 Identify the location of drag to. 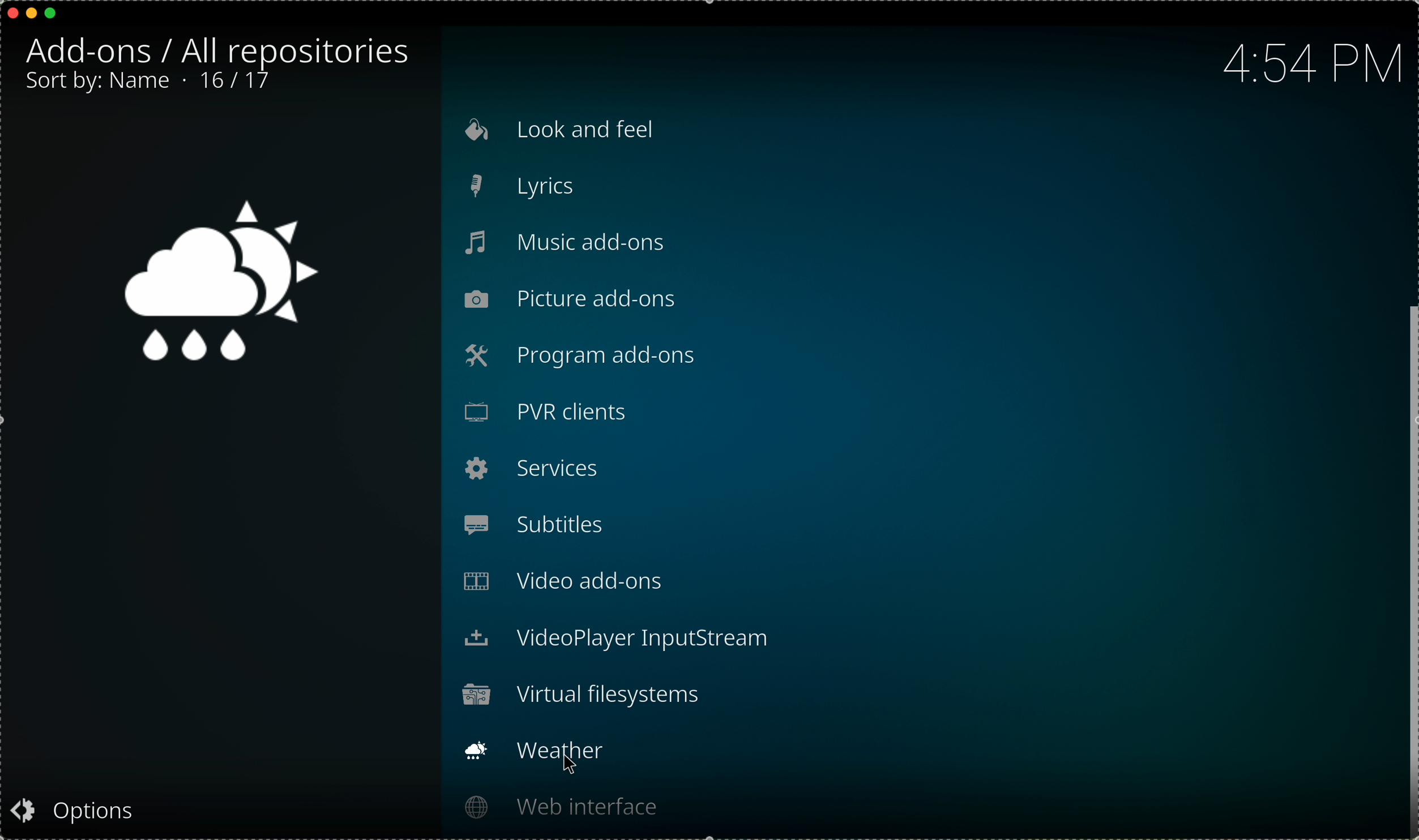
(1410, 568).